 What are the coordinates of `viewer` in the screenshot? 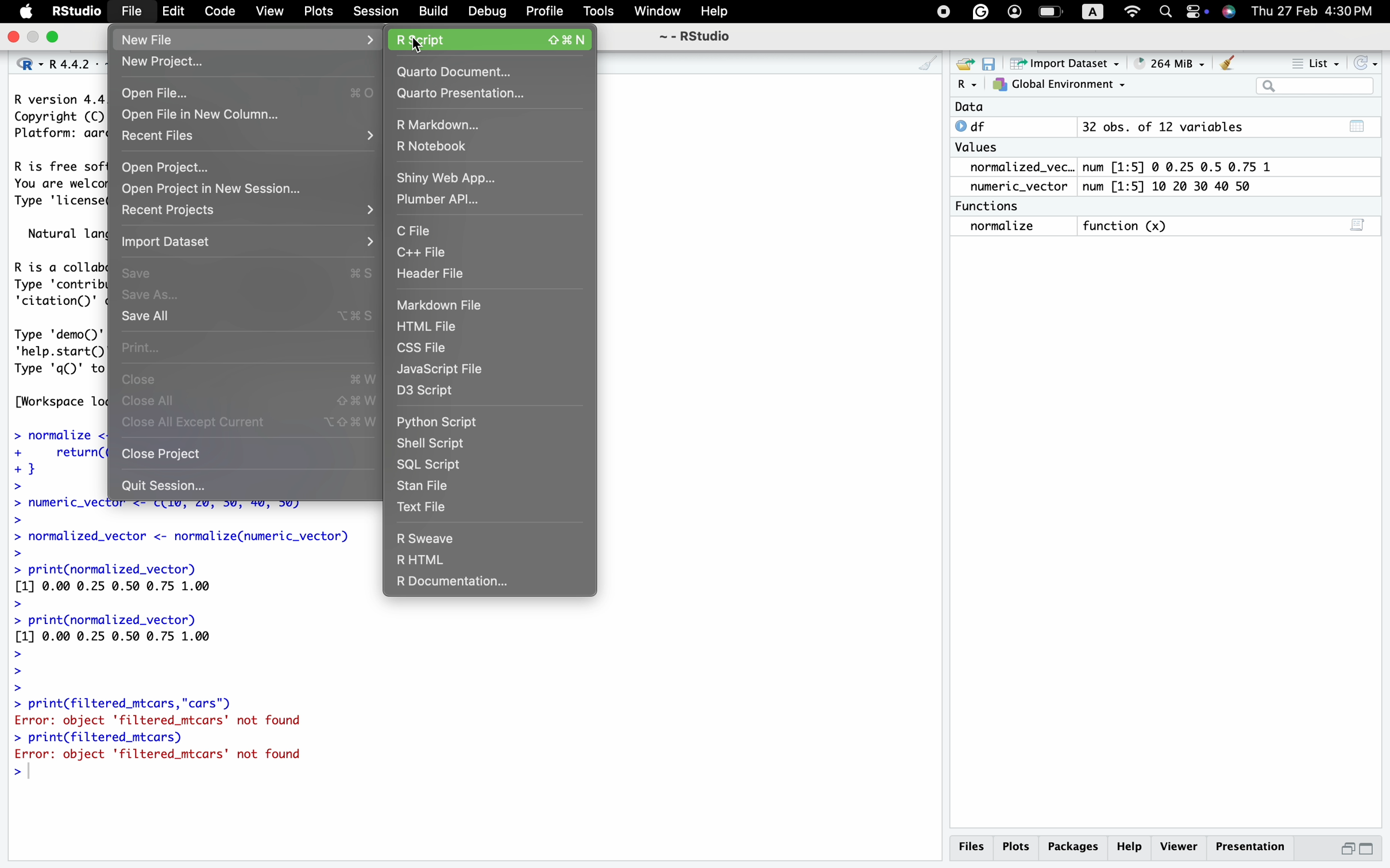 It's located at (1179, 846).